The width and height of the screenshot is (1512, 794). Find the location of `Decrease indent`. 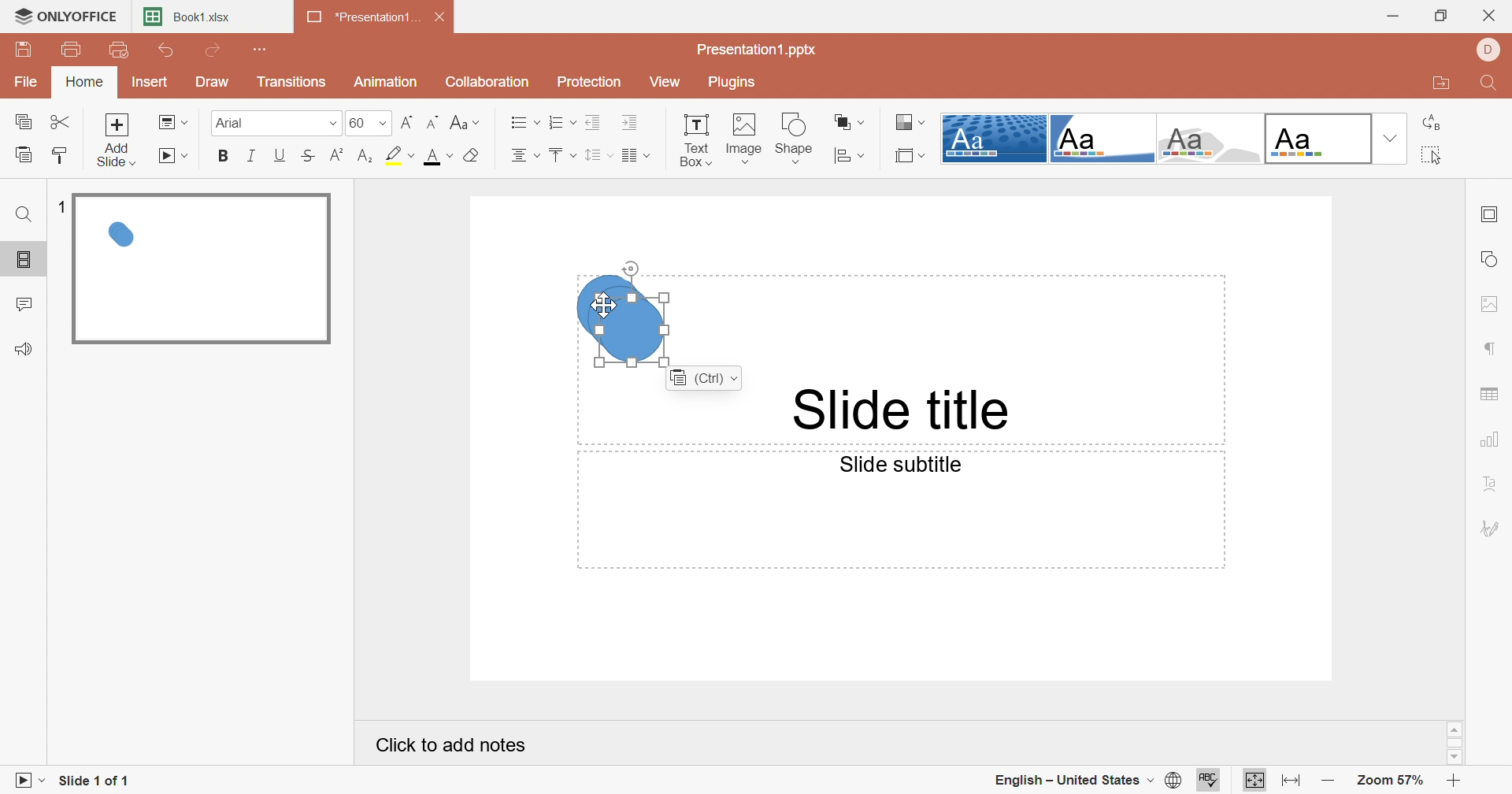

Decrease indent is located at coordinates (593, 122).